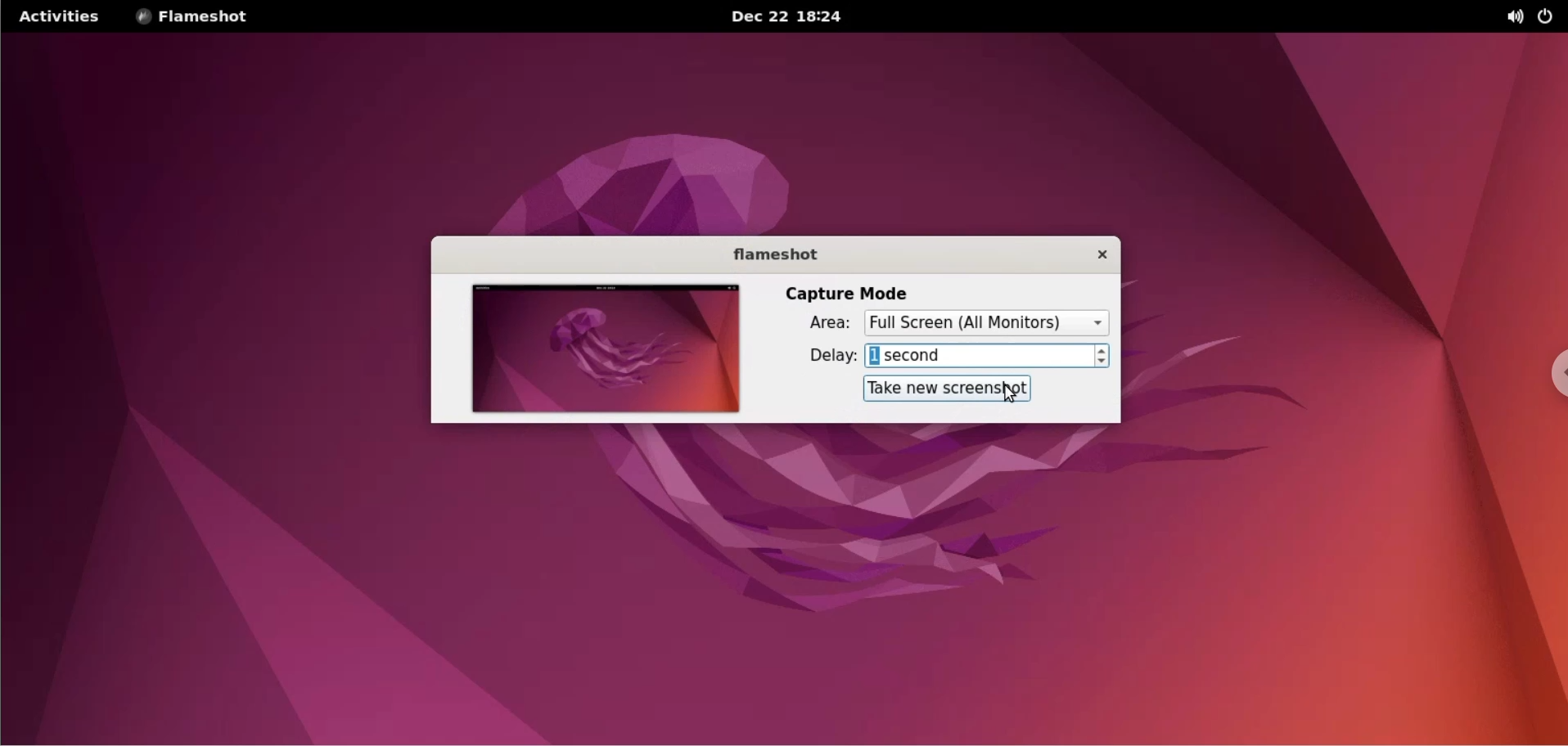  Describe the element at coordinates (821, 355) in the screenshot. I see `delay:` at that location.